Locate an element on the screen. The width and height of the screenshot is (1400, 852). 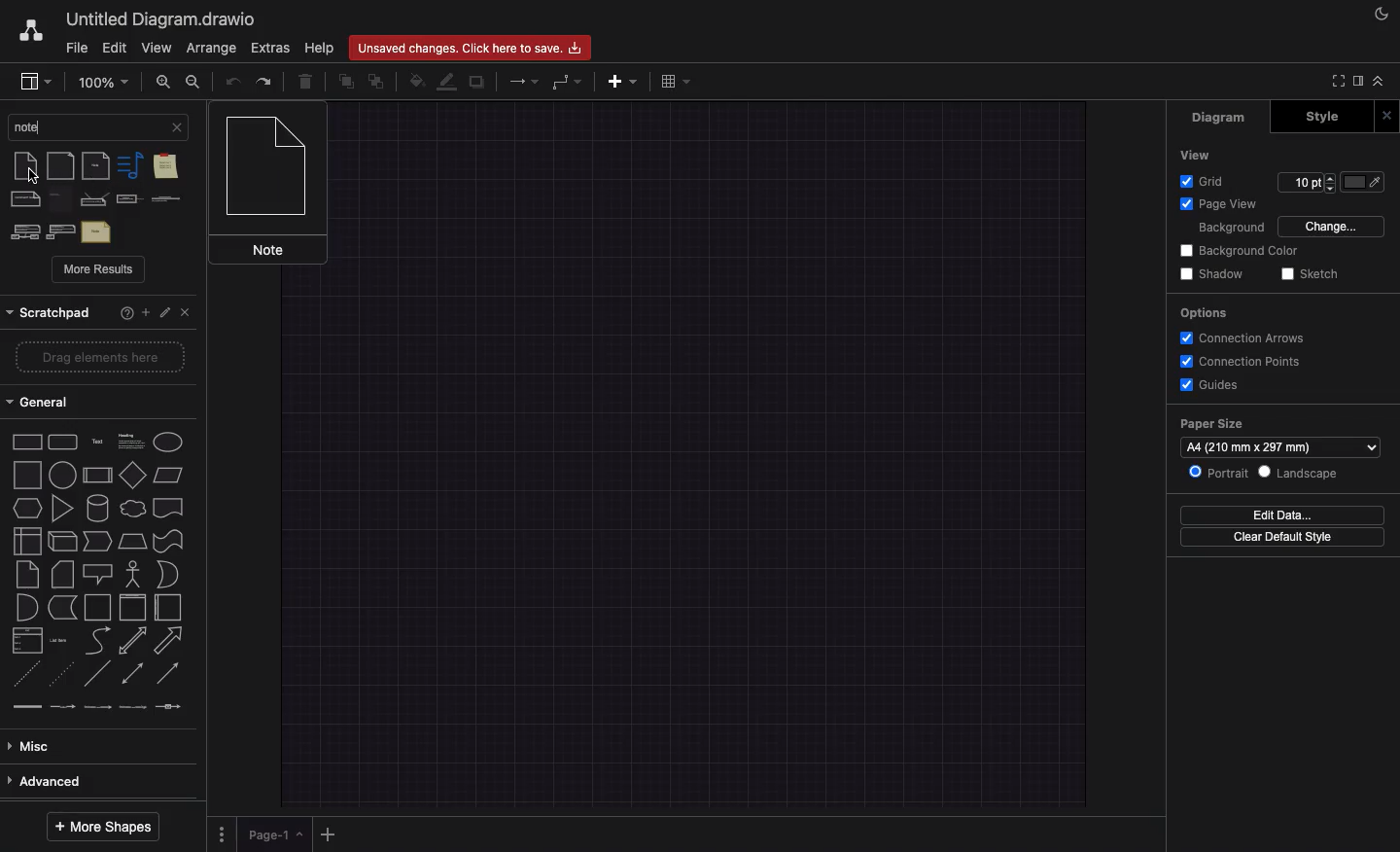
Zoom out is located at coordinates (195, 81).